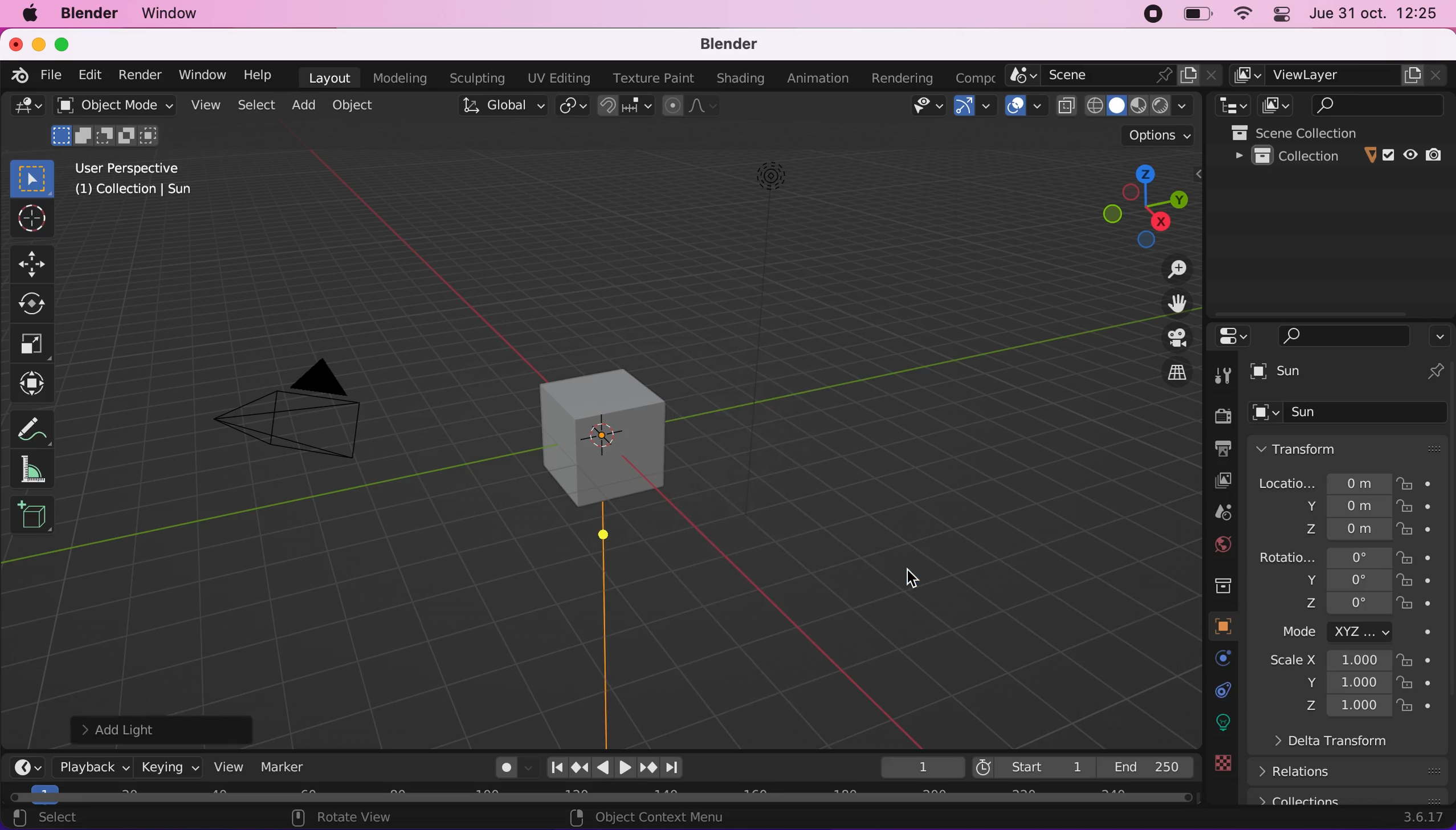 This screenshot has width=1456, height=830. What do you see at coordinates (601, 769) in the screenshot?
I see `Play animation` at bounding box center [601, 769].